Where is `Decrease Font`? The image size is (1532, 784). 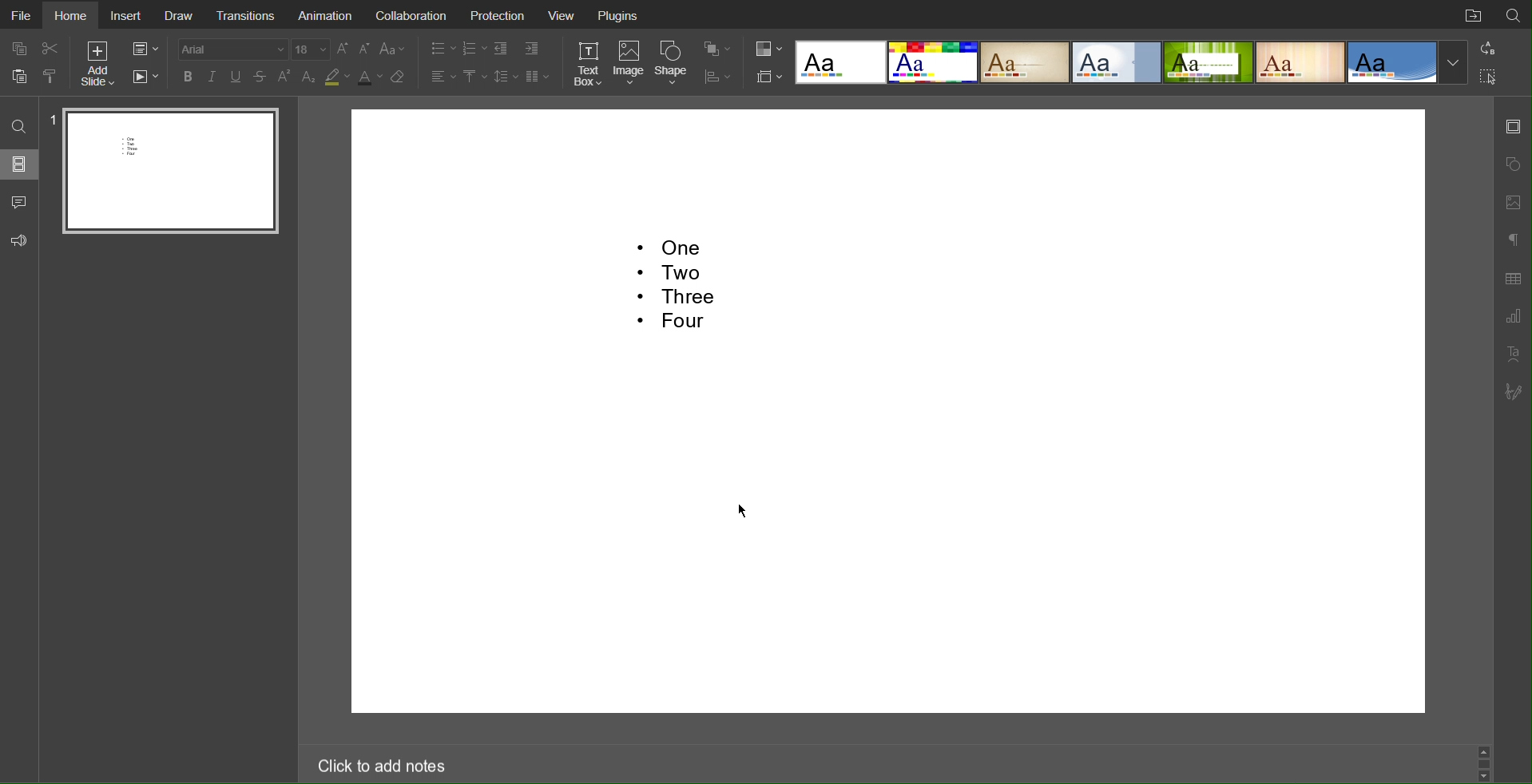 Decrease Font is located at coordinates (363, 49).